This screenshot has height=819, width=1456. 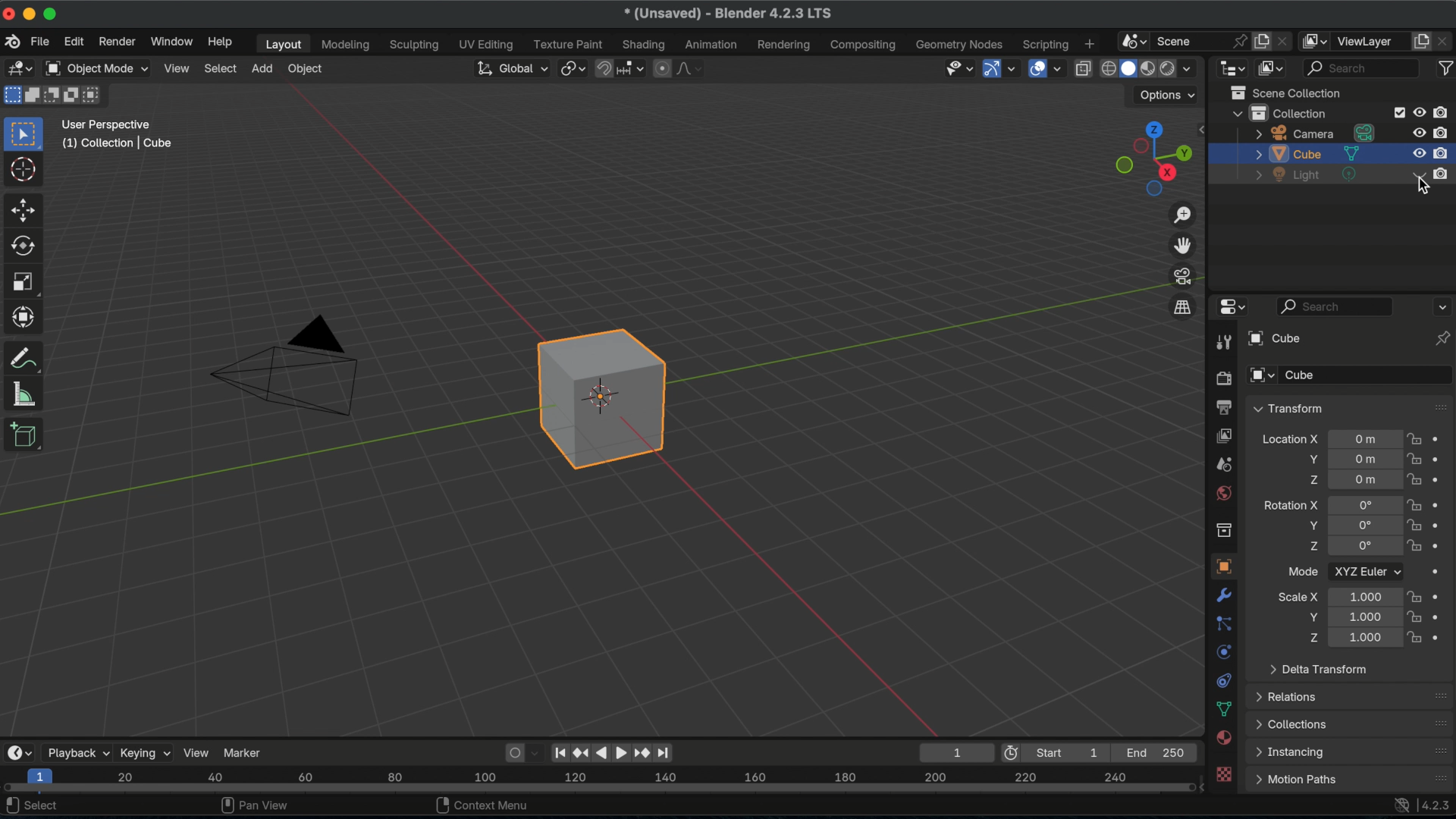 I want to click on particles, so click(x=1223, y=624).